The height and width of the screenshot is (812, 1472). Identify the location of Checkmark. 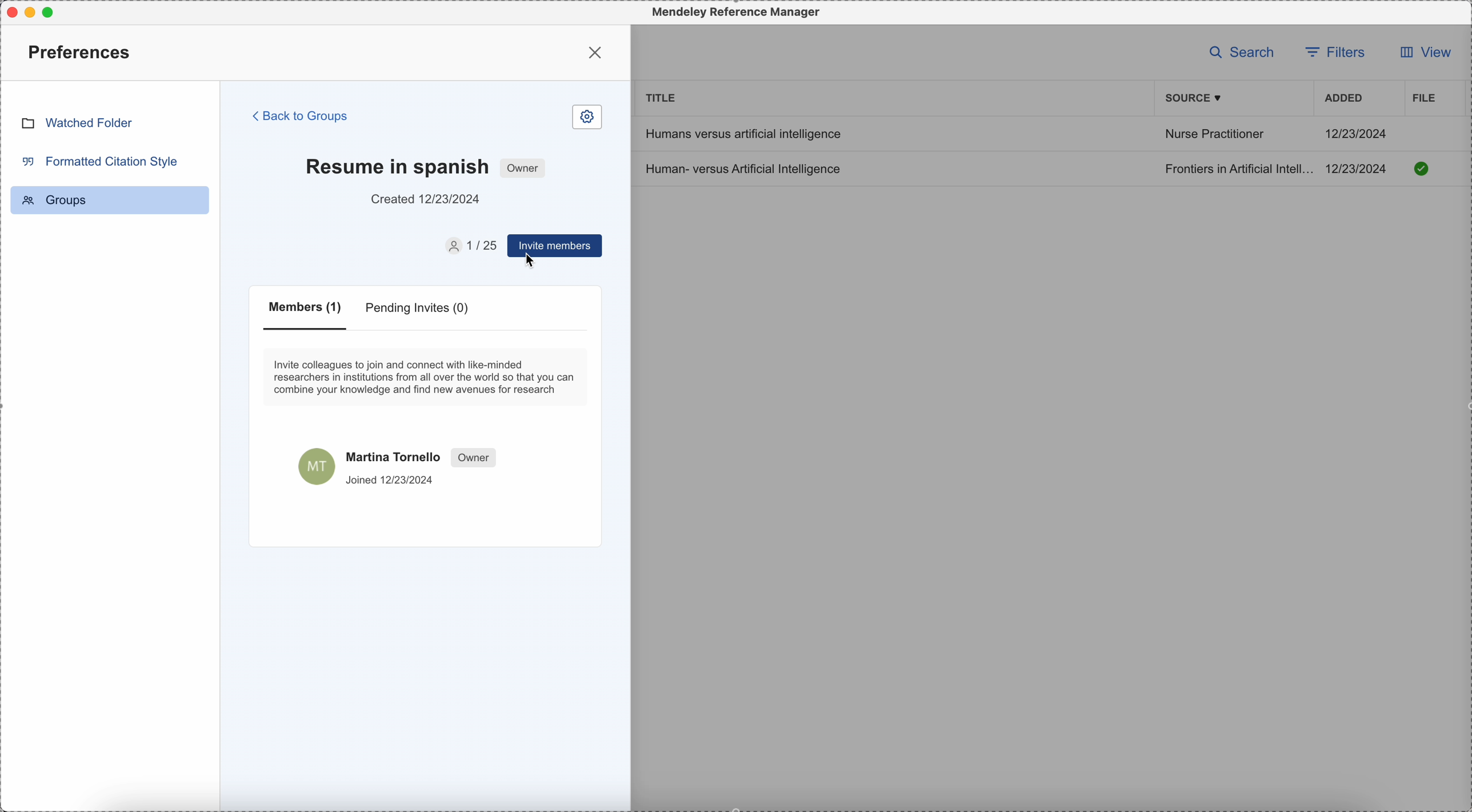
(1422, 168).